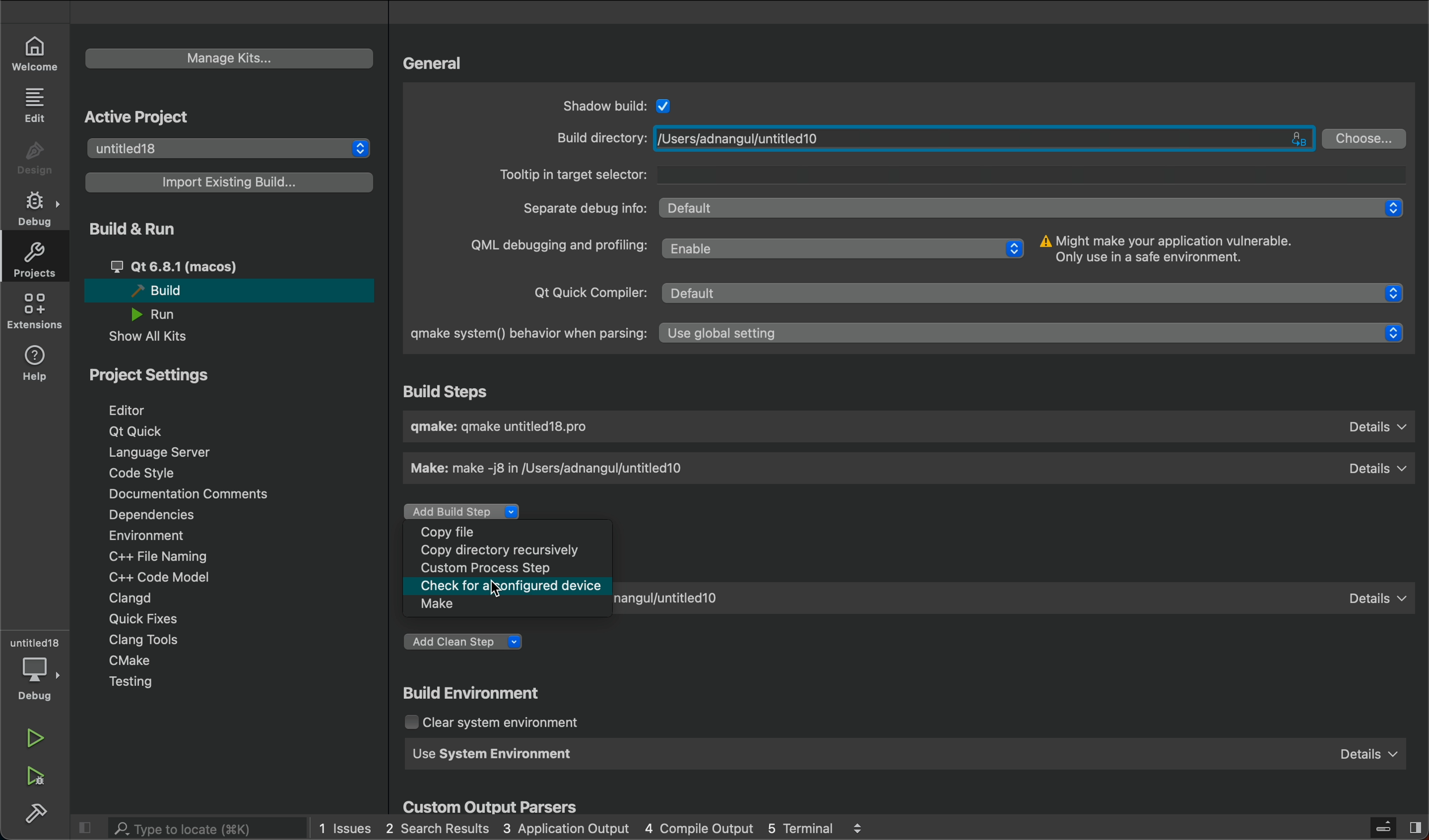 This screenshot has width=1429, height=840. I want to click on show all kits, so click(159, 337).